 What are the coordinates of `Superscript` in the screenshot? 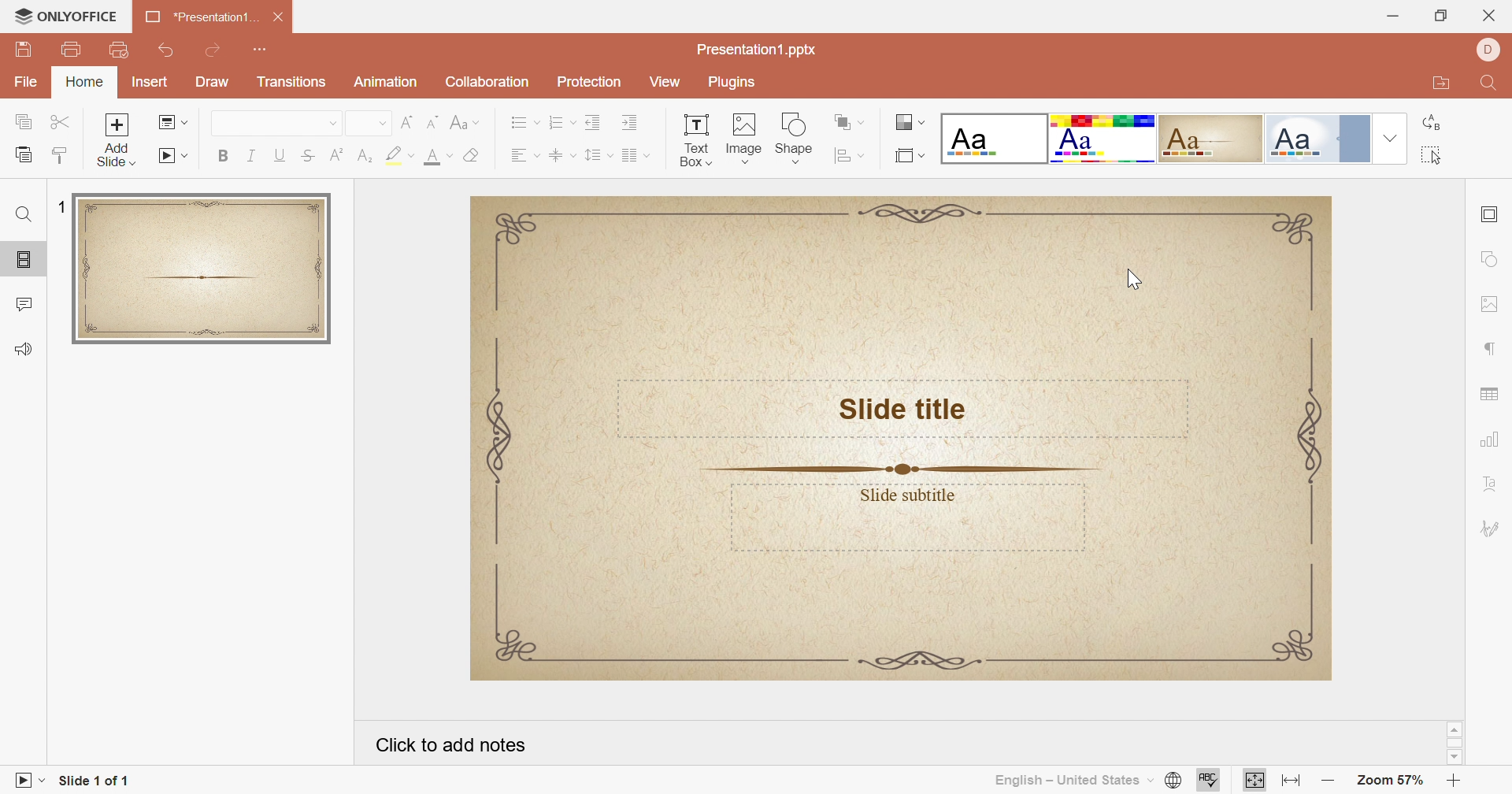 It's located at (335, 157).